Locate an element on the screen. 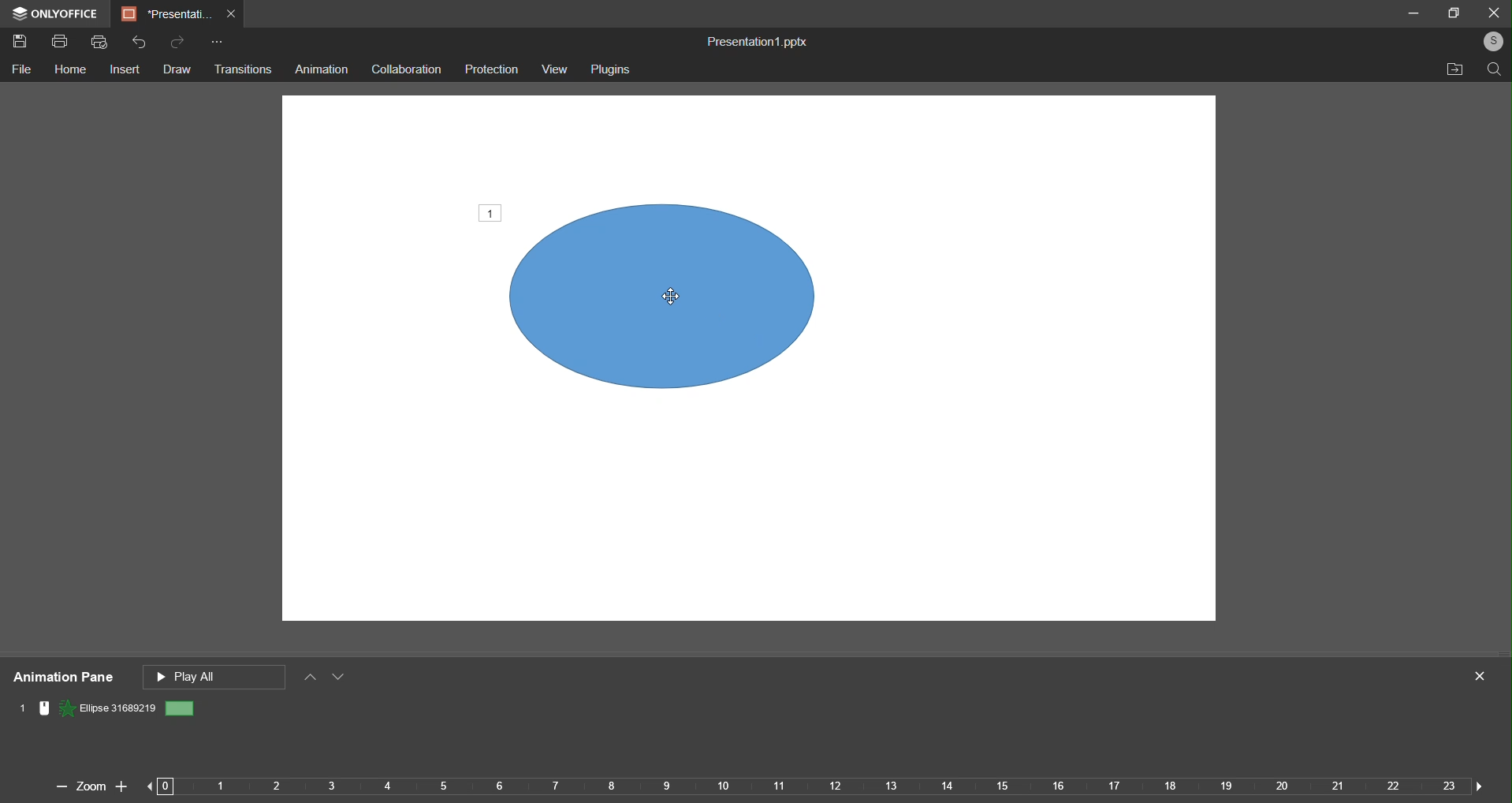  find is located at coordinates (1494, 70).